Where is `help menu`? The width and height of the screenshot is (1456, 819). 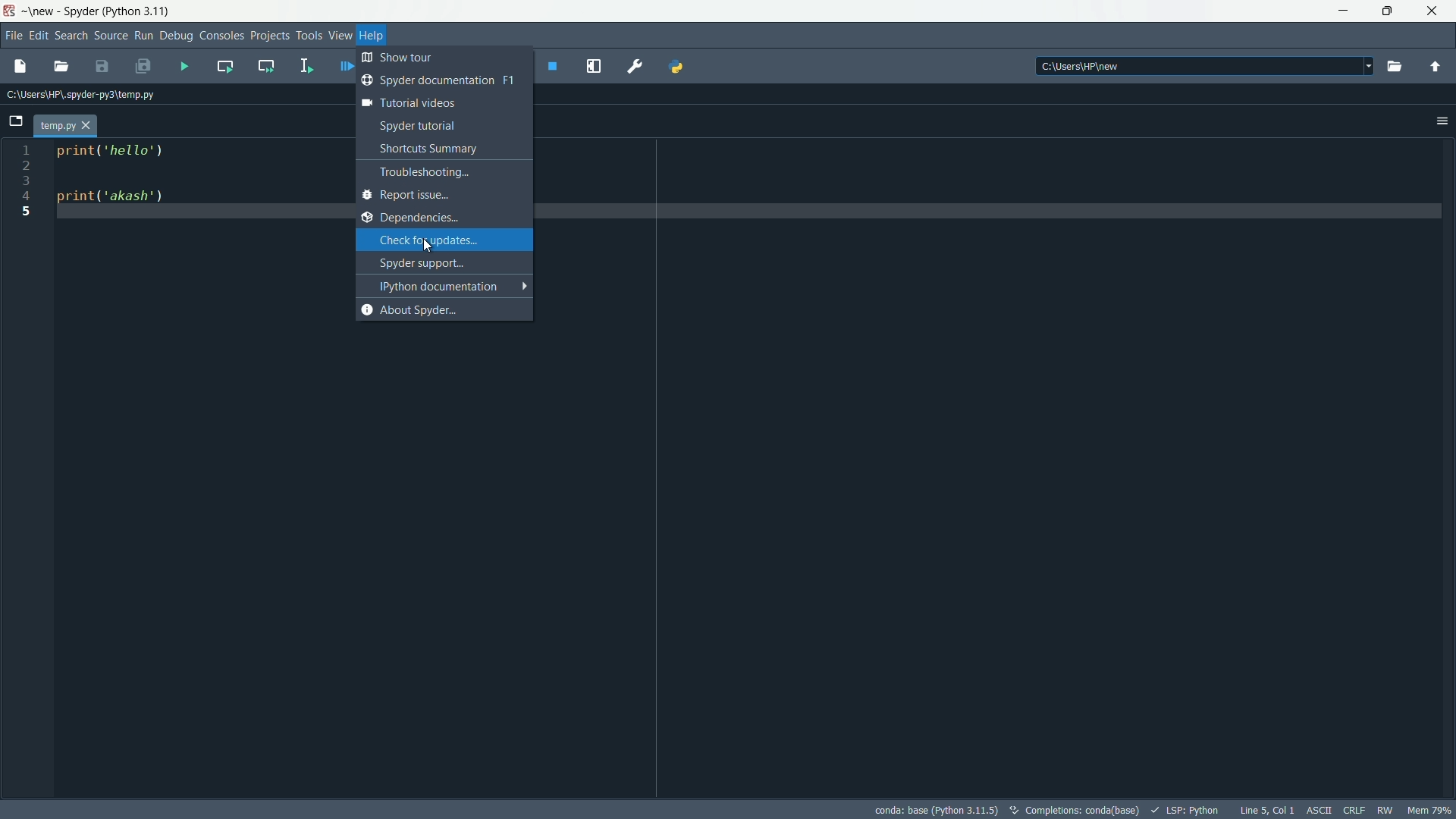 help menu is located at coordinates (373, 35).